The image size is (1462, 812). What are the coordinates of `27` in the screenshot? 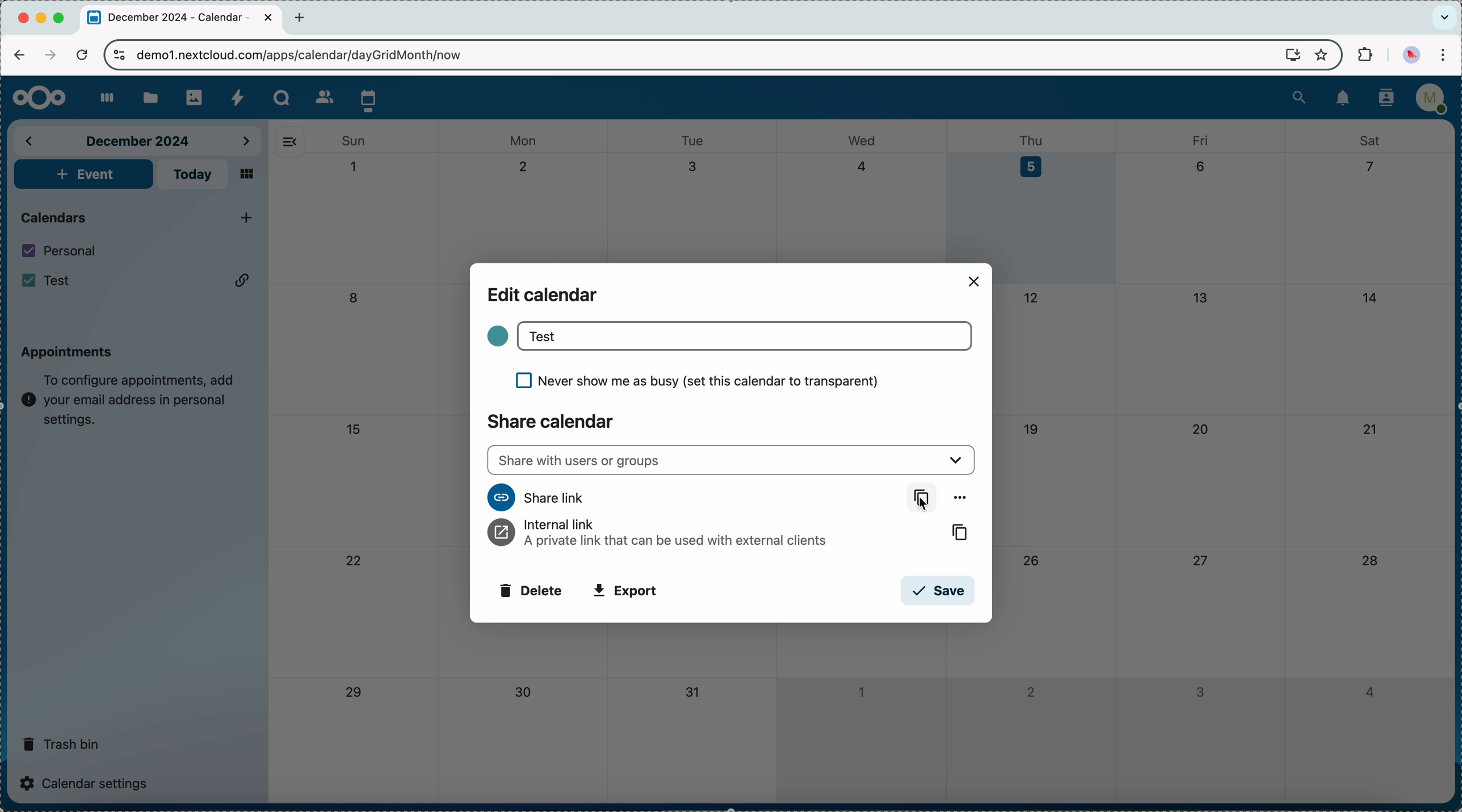 It's located at (1199, 559).